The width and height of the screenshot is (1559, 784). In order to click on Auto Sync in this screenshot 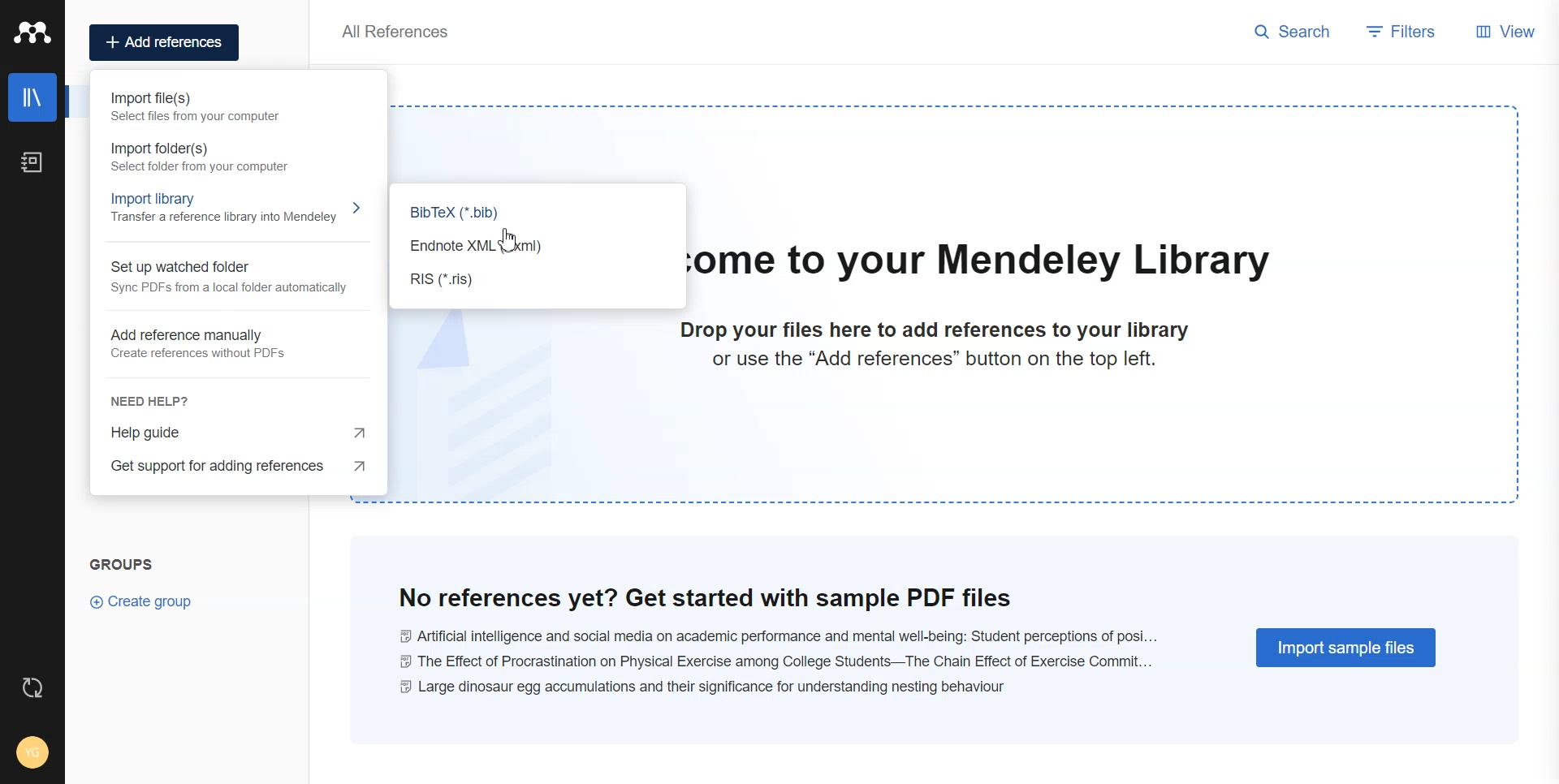, I will do `click(30, 687)`.